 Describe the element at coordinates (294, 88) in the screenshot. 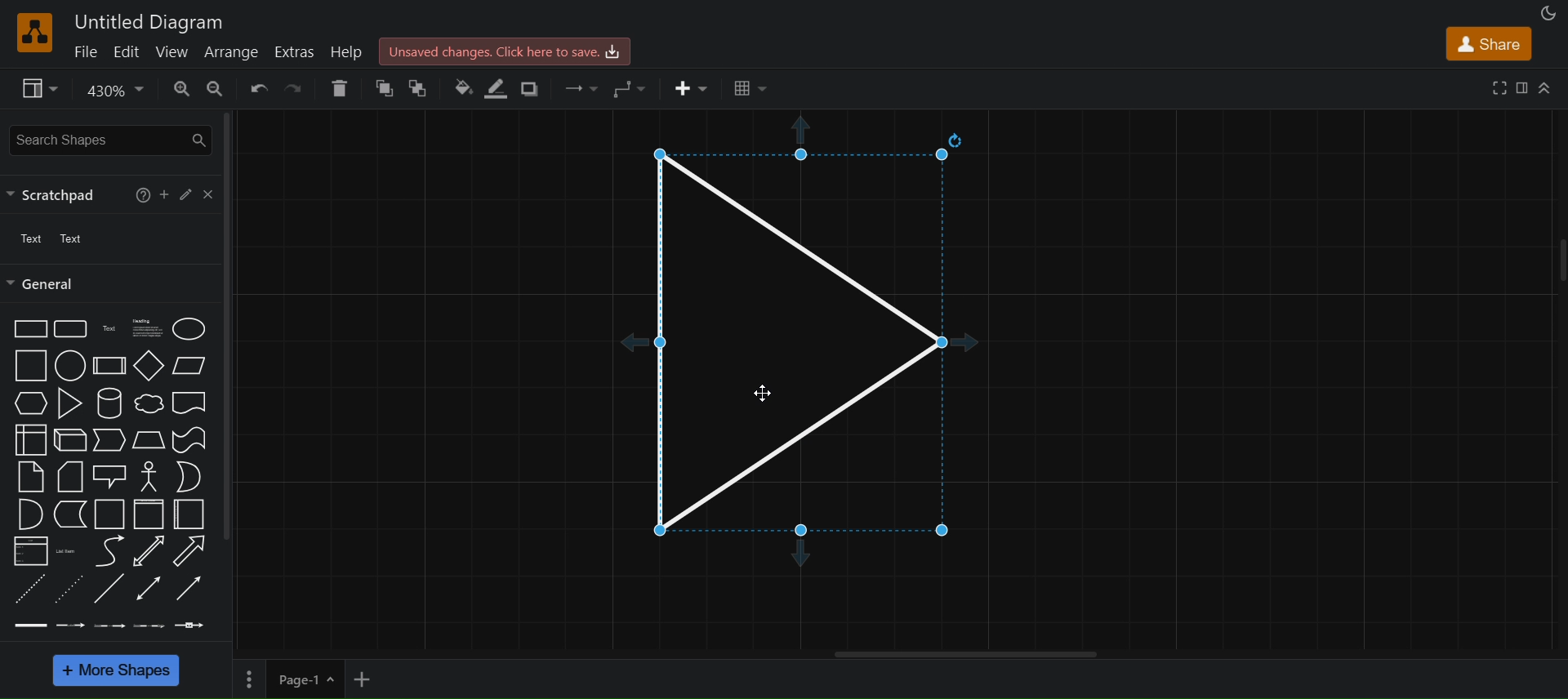

I see `redo` at that location.